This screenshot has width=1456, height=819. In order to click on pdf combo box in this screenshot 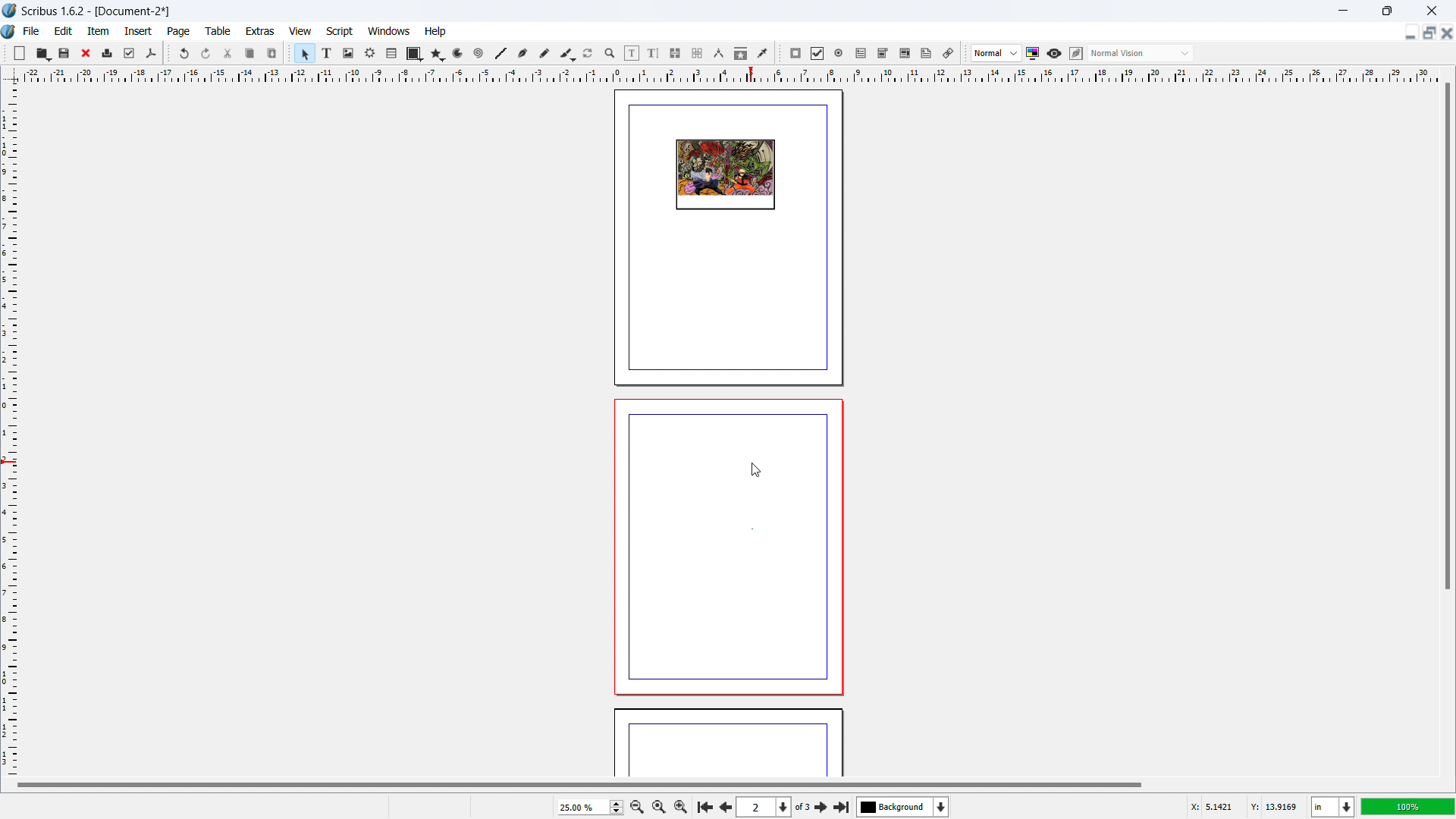, I will do `click(882, 53)`.